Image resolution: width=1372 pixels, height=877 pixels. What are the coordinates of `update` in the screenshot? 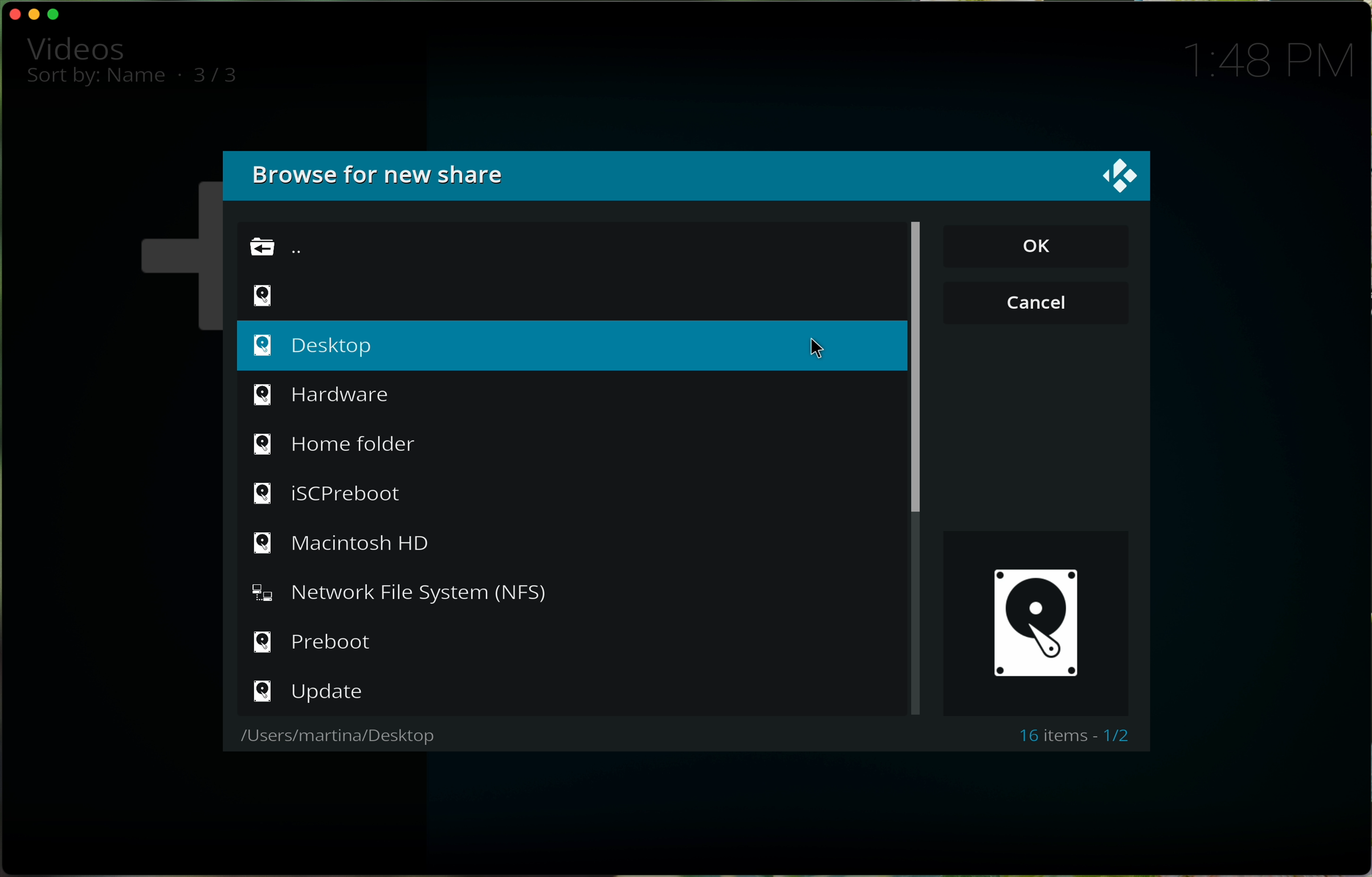 It's located at (308, 690).